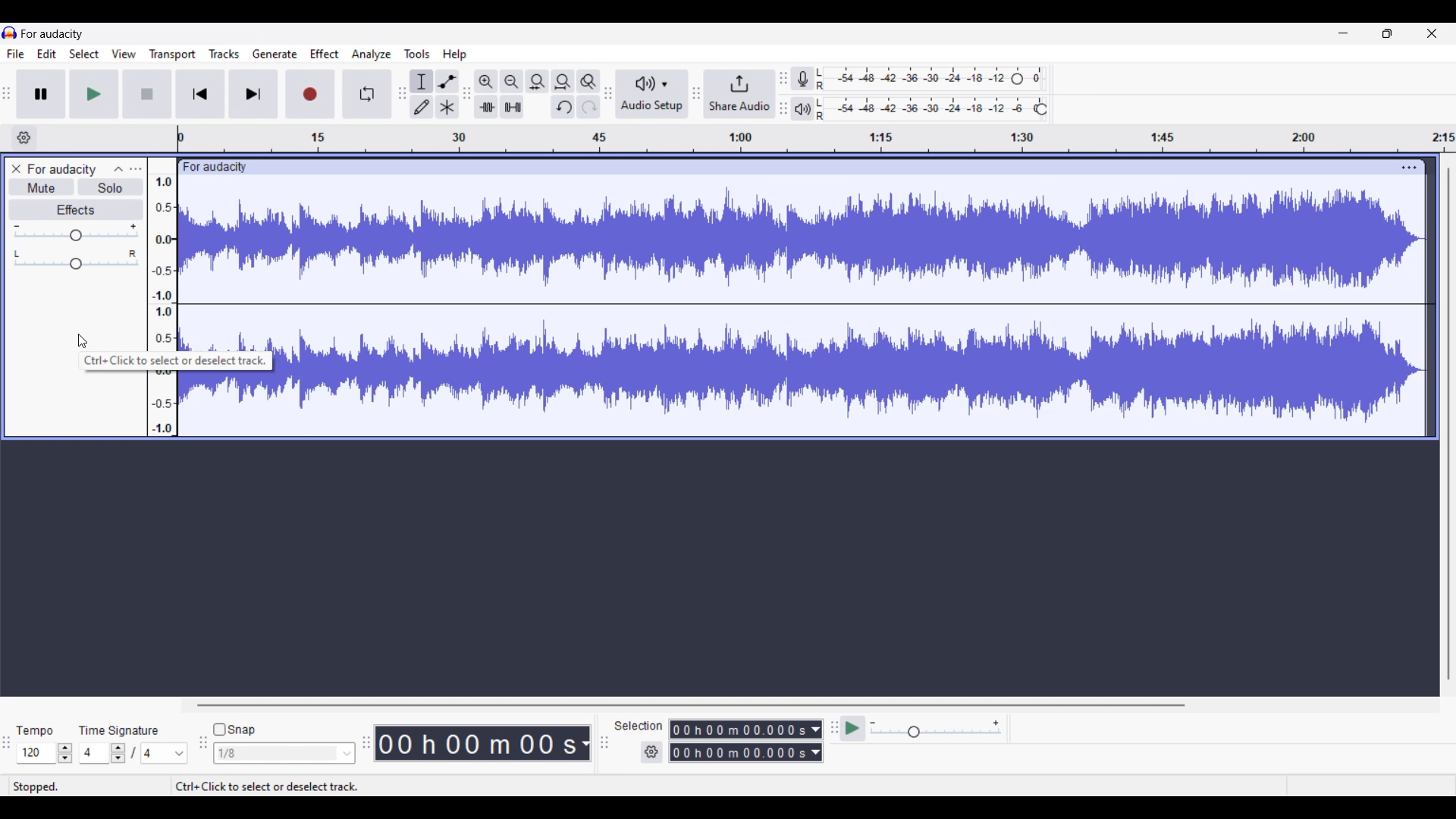  What do you see at coordinates (1432, 33) in the screenshot?
I see `Close interface` at bounding box center [1432, 33].